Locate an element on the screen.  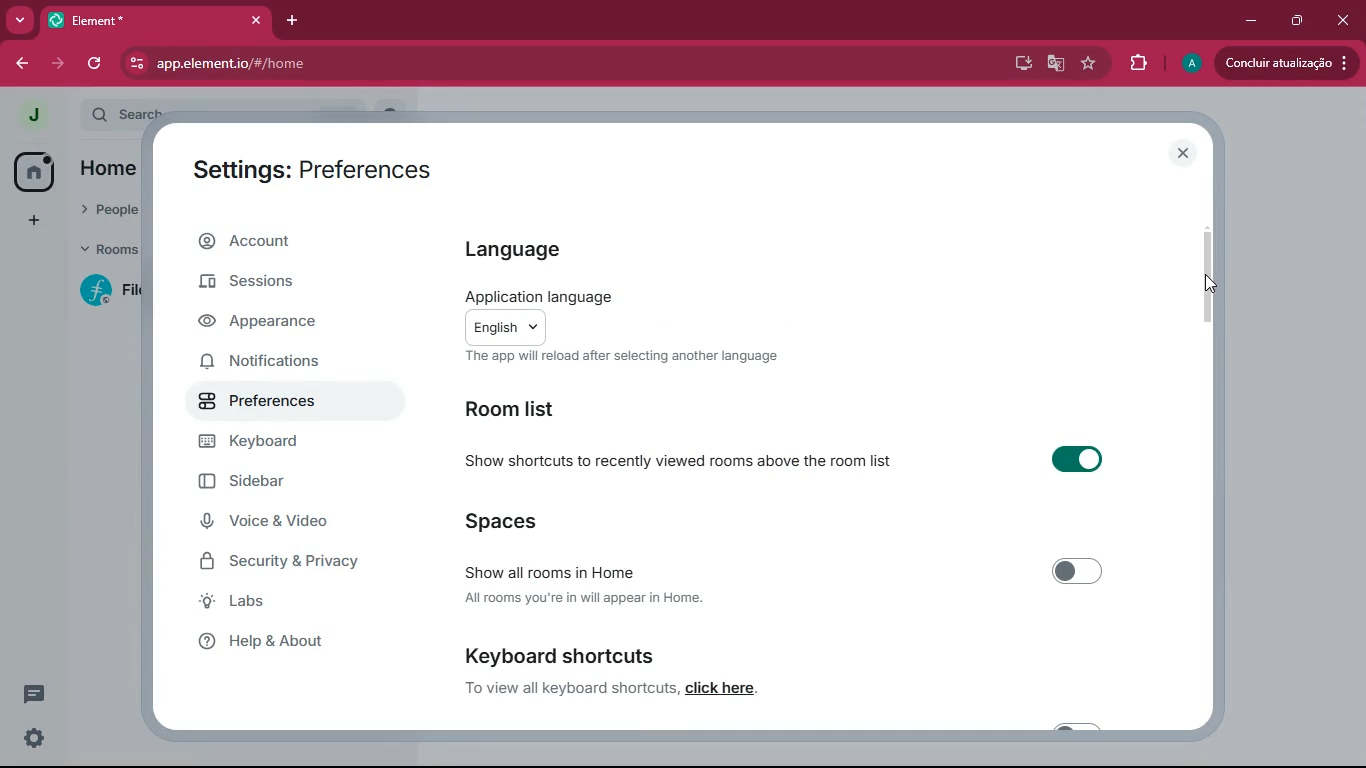
help & about is located at coordinates (288, 639).